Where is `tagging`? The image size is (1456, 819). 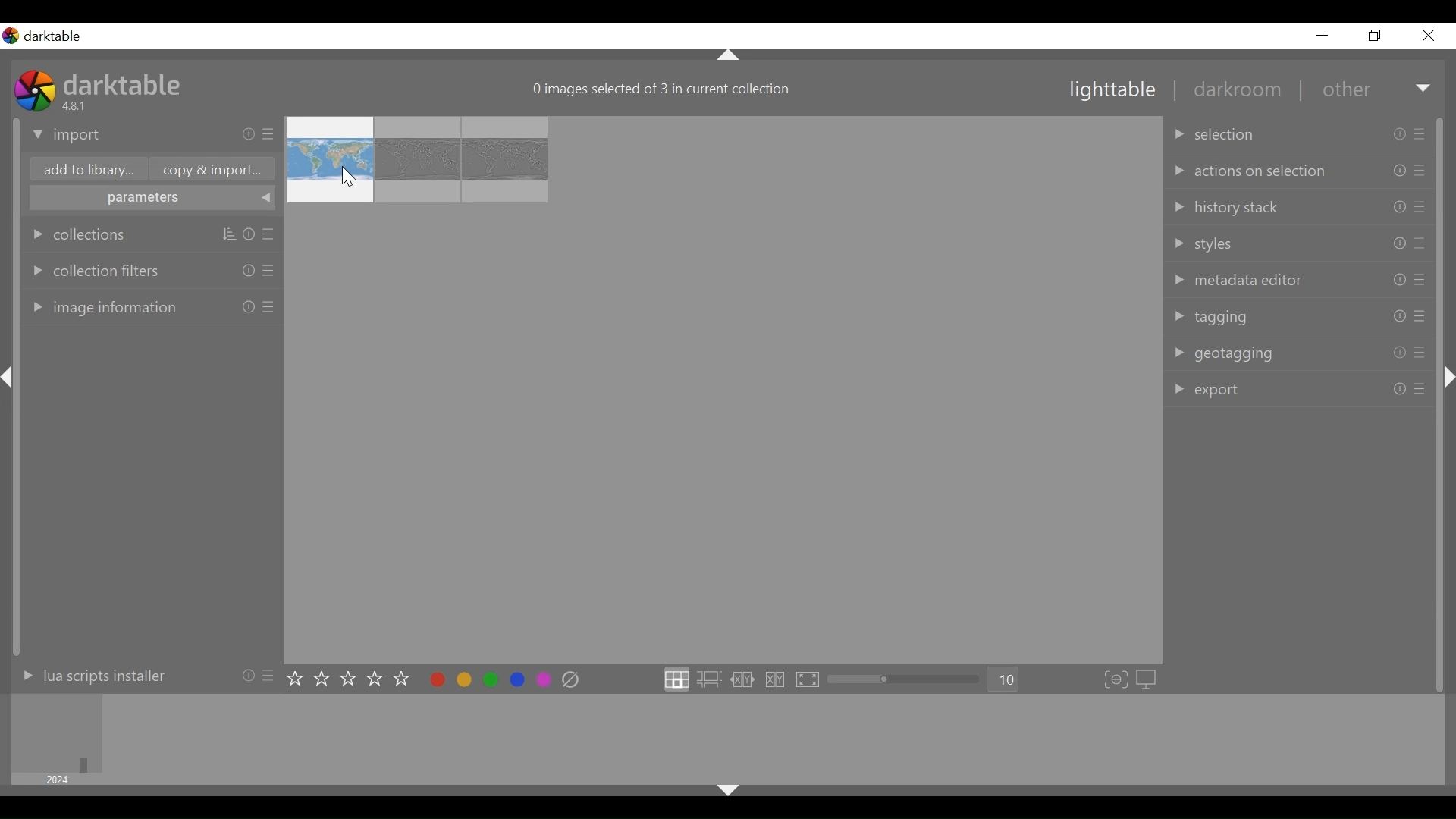 tagging is located at coordinates (1298, 316).